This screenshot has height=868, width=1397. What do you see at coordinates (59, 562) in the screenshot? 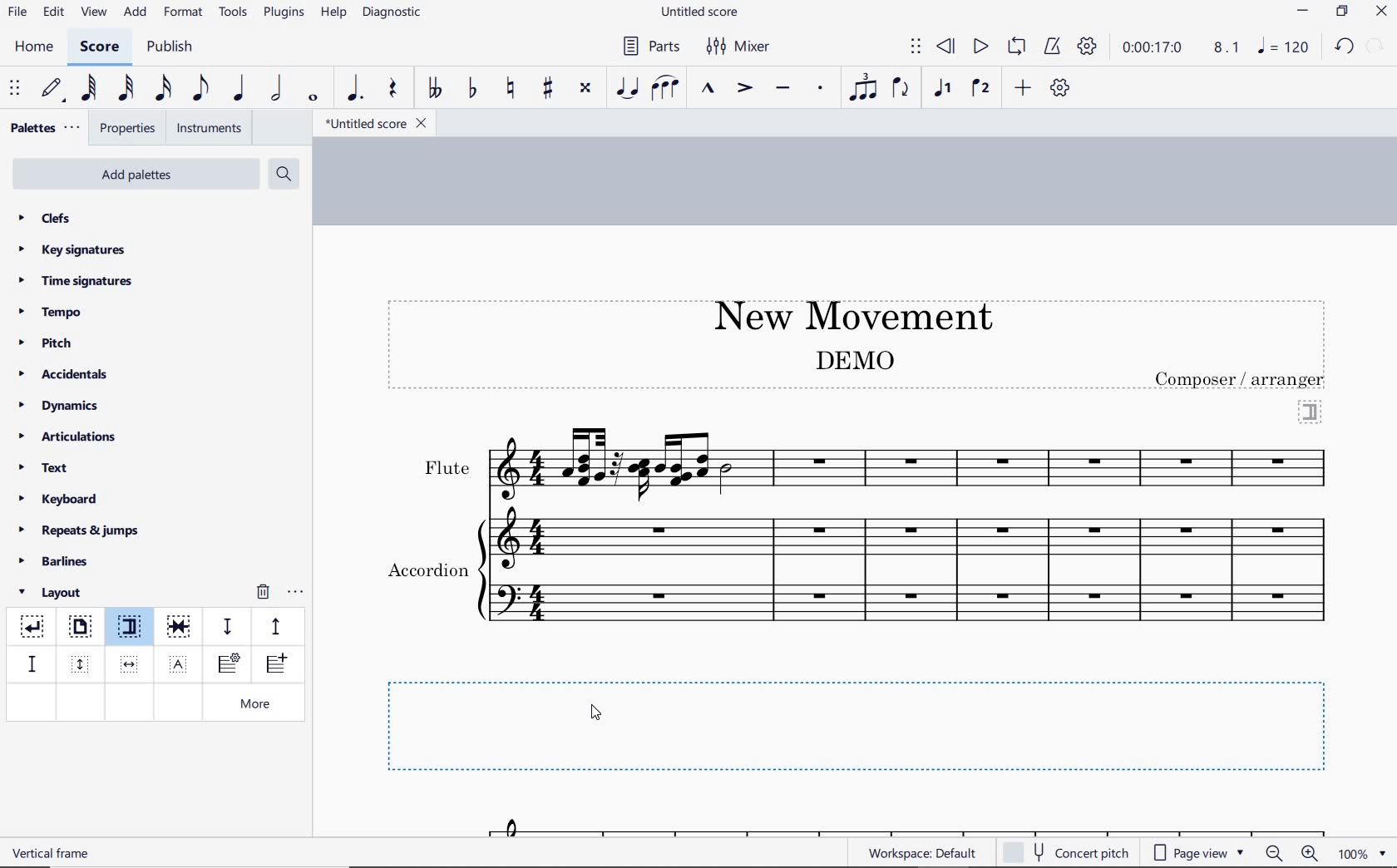
I see `barlines` at bounding box center [59, 562].